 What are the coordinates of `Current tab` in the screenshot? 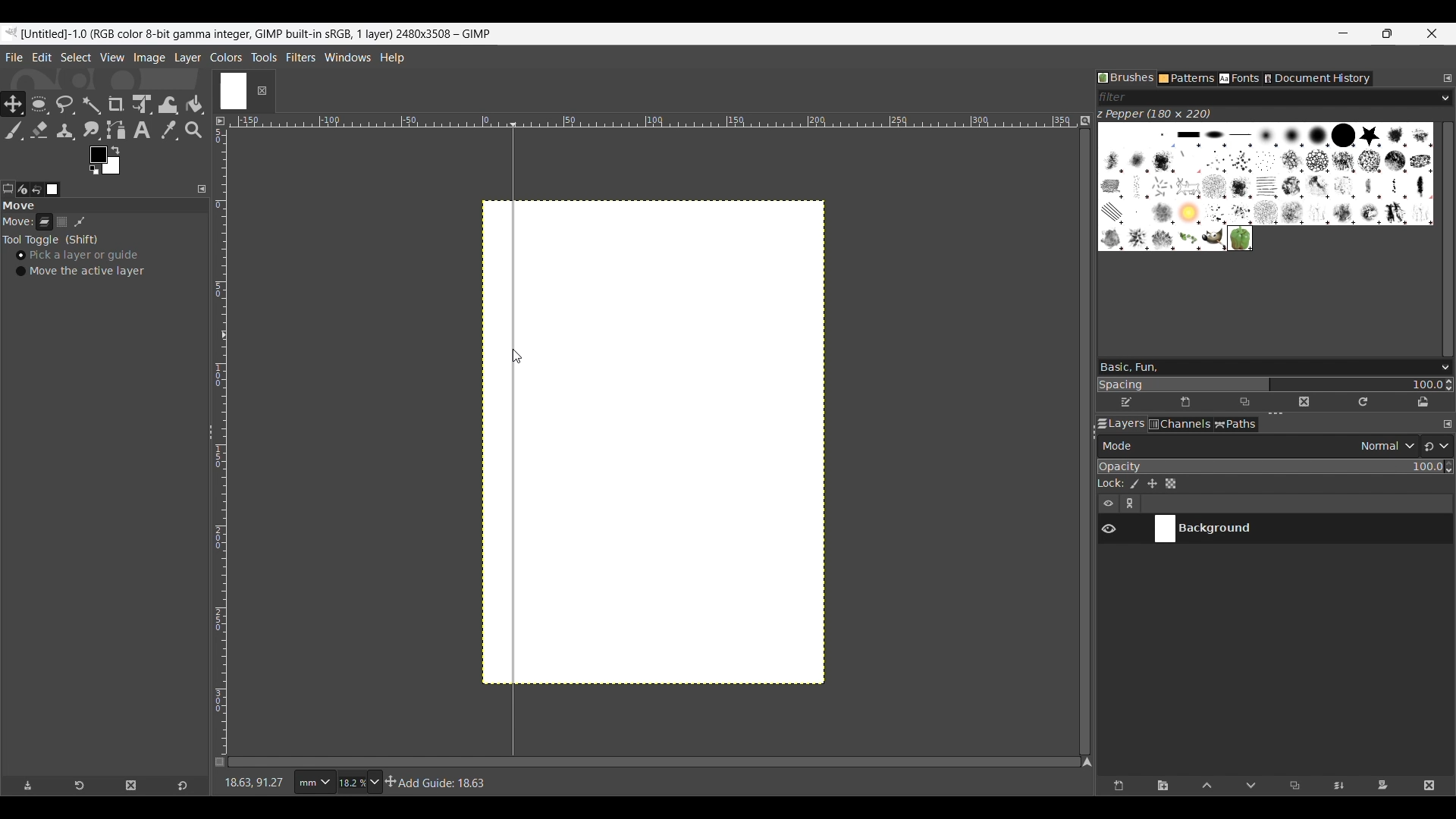 It's located at (232, 89).